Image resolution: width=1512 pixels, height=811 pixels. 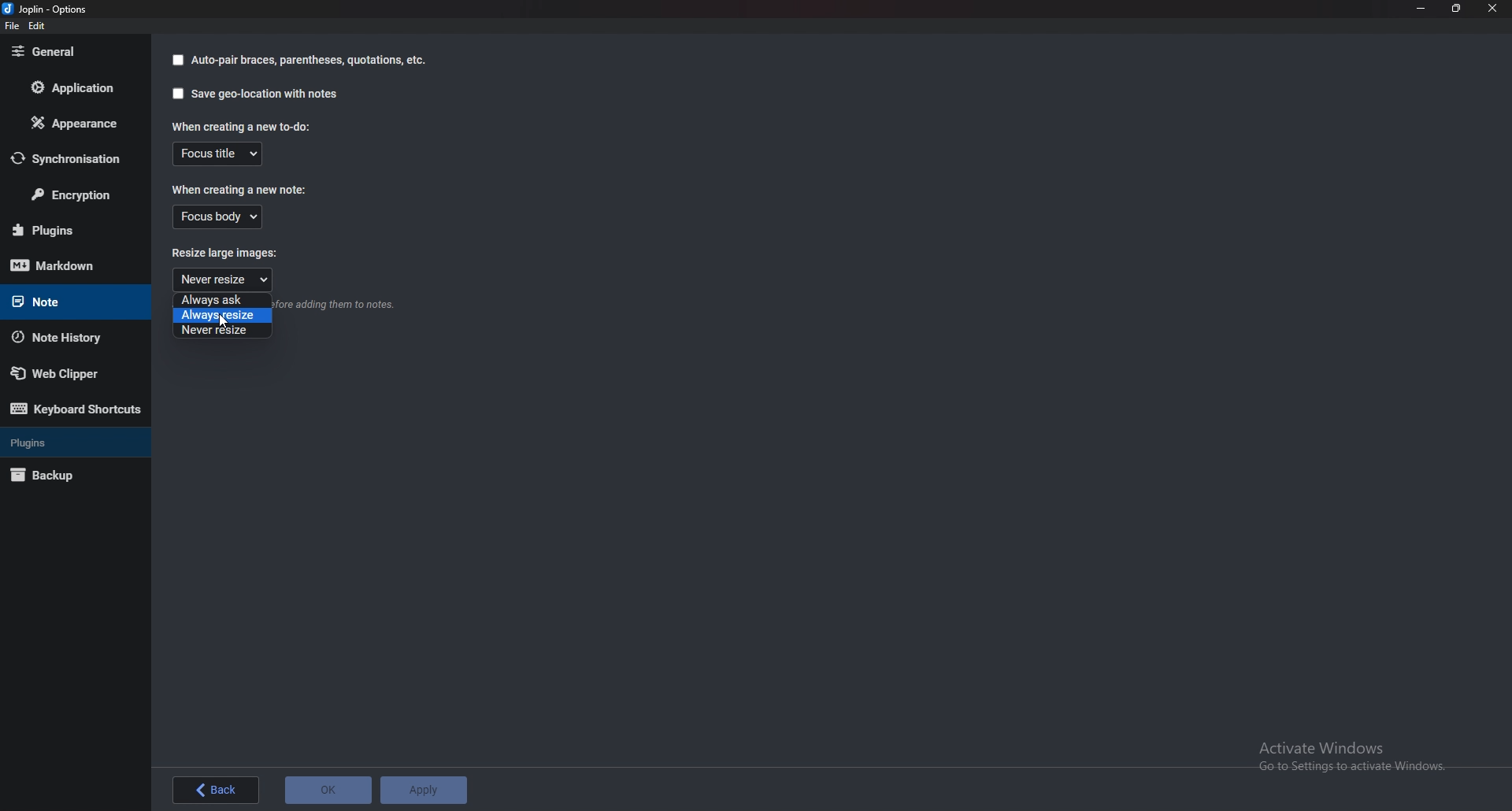 What do you see at coordinates (69, 53) in the screenshot?
I see `general` at bounding box center [69, 53].